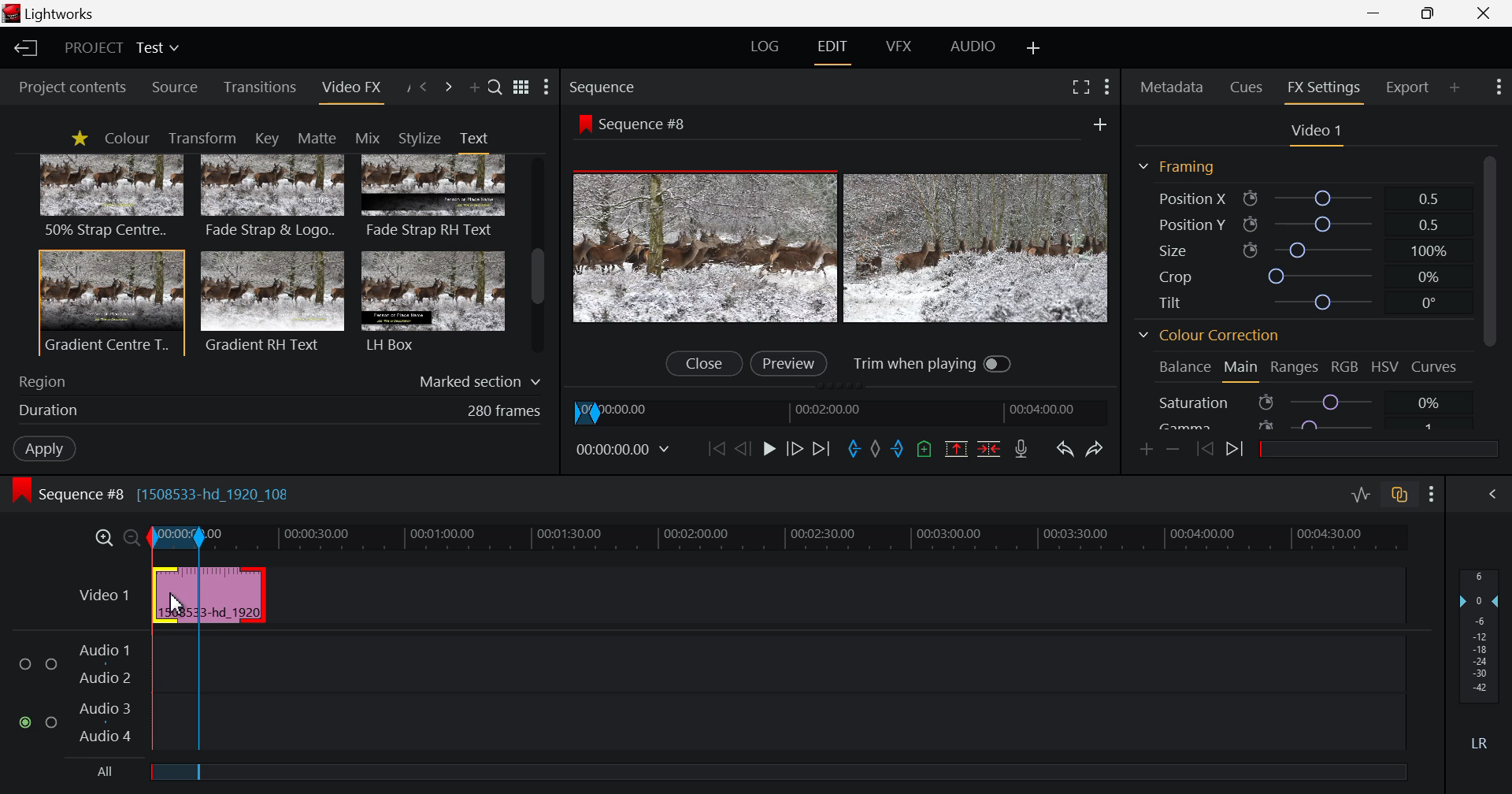  I want to click on Add, so click(1095, 123).